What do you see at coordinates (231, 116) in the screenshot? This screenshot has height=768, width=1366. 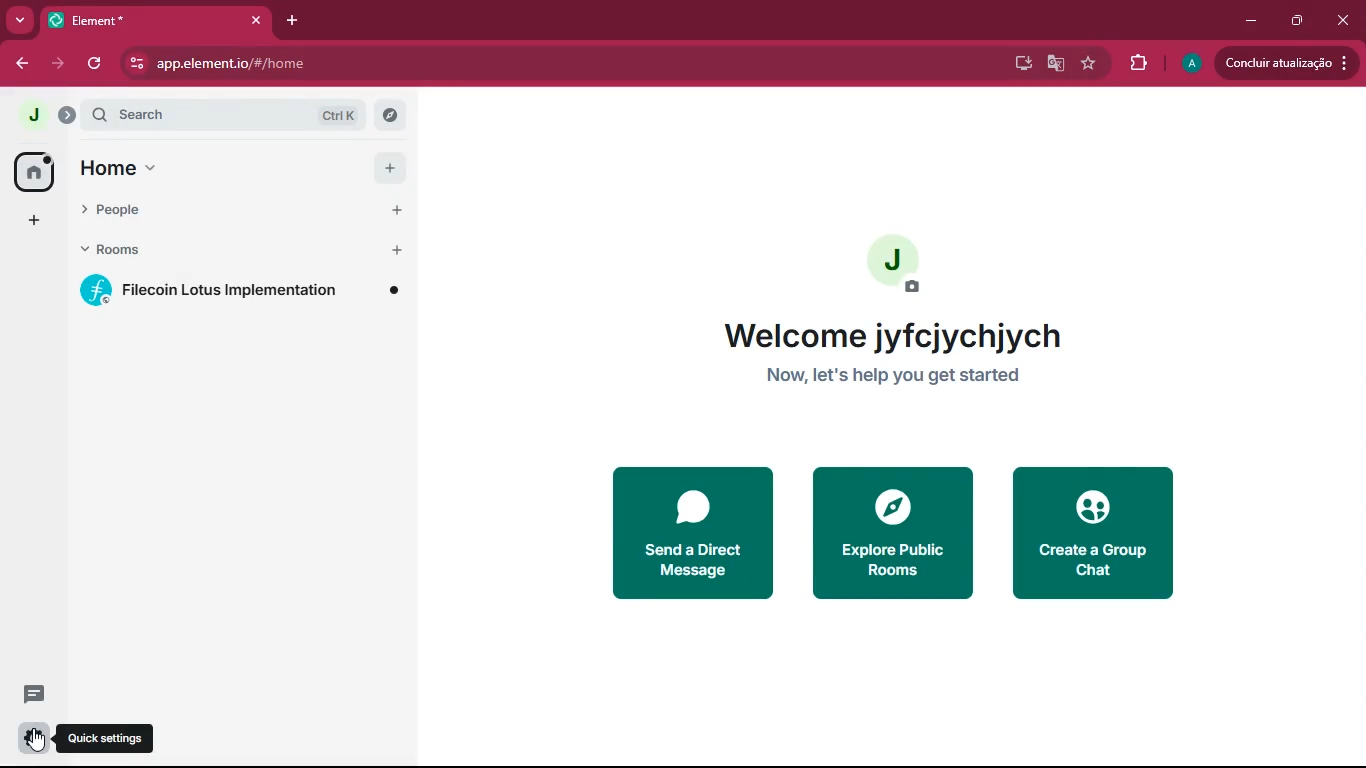 I see `search` at bounding box center [231, 116].